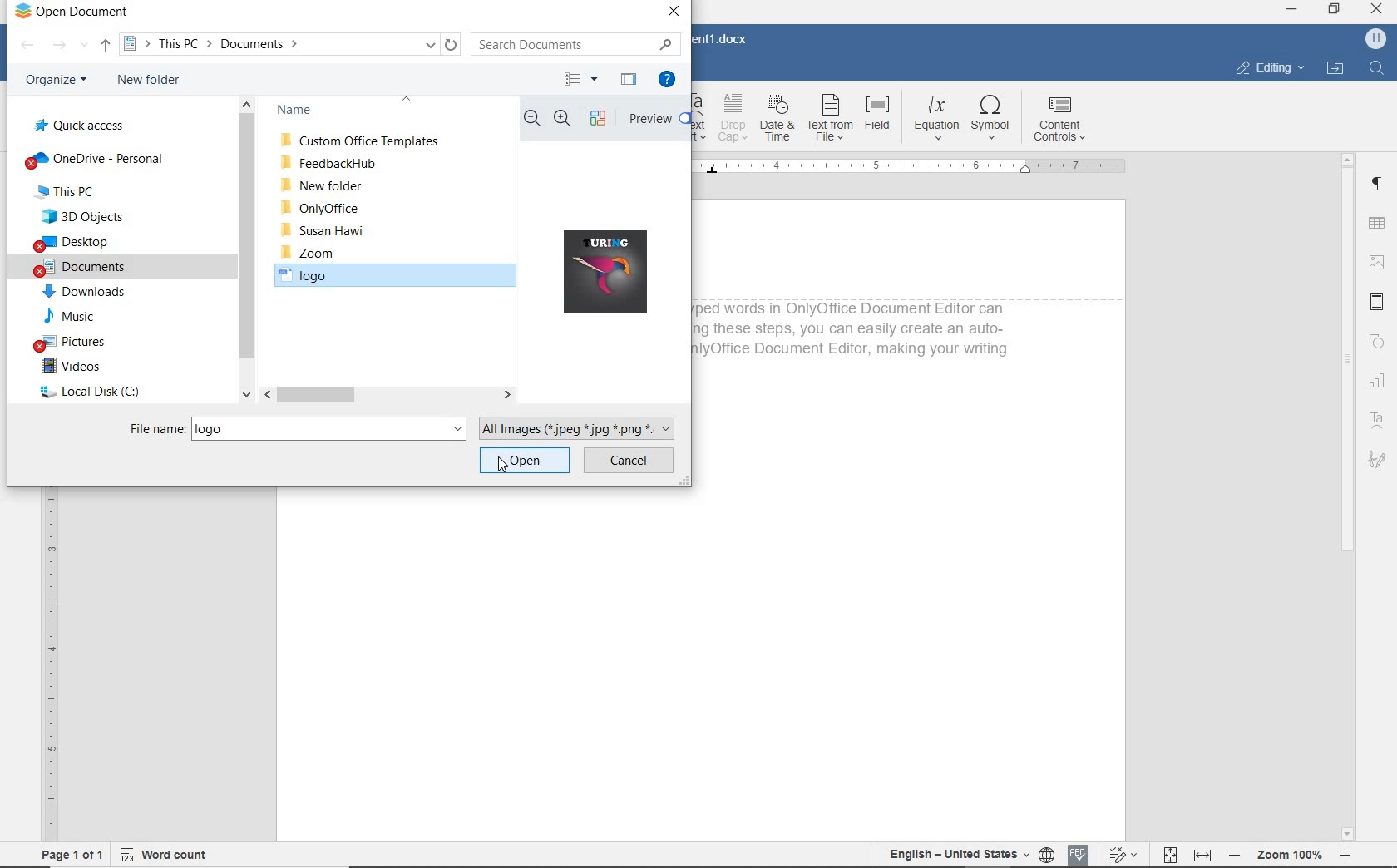 Image resolution: width=1397 pixels, height=868 pixels. What do you see at coordinates (330, 231) in the screenshot?
I see `Susan Hawi` at bounding box center [330, 231].